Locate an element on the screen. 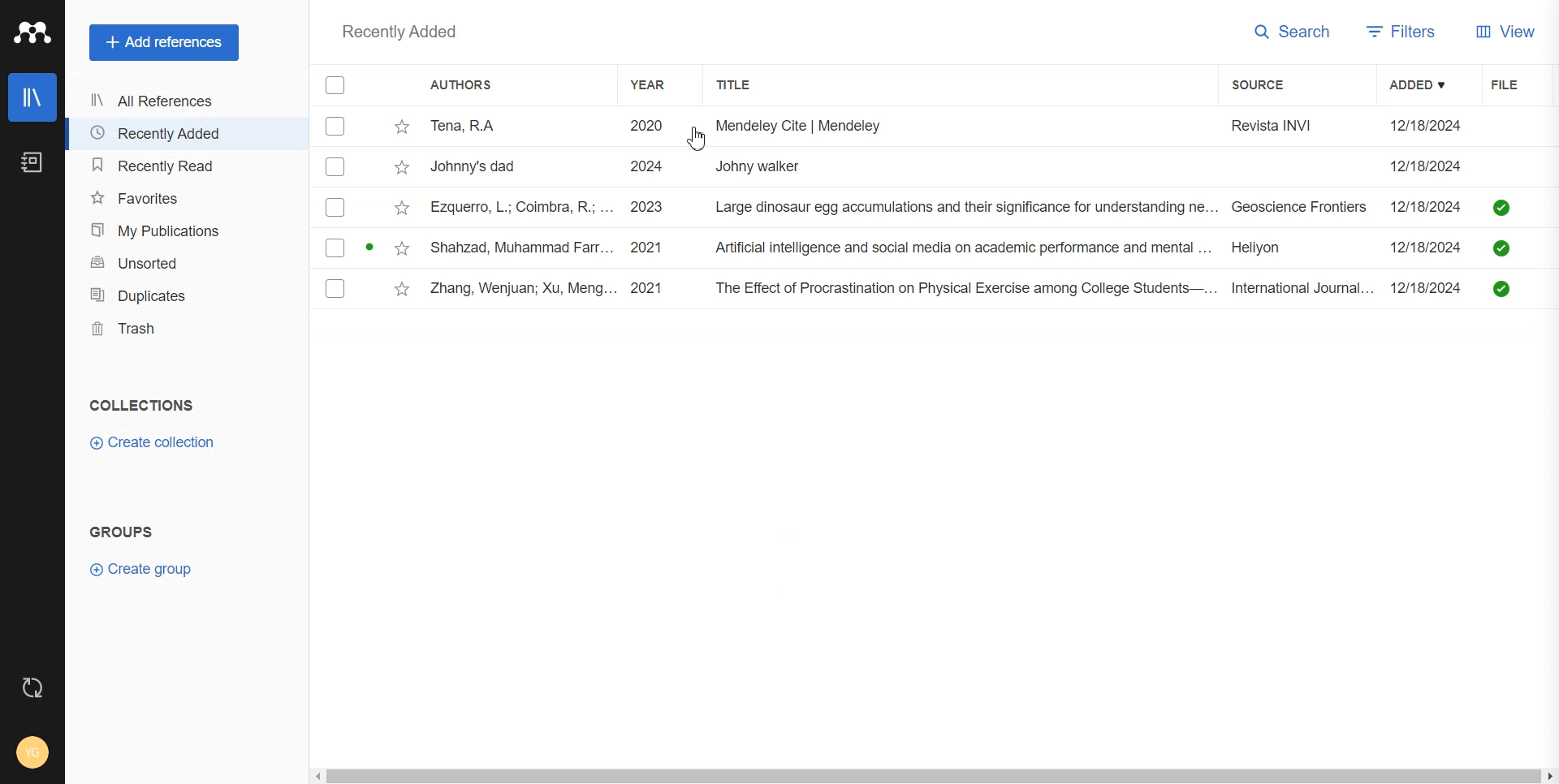 The width and height of the screenshot is (1559, 784). Unsorted is located at coordinates (188, 263).